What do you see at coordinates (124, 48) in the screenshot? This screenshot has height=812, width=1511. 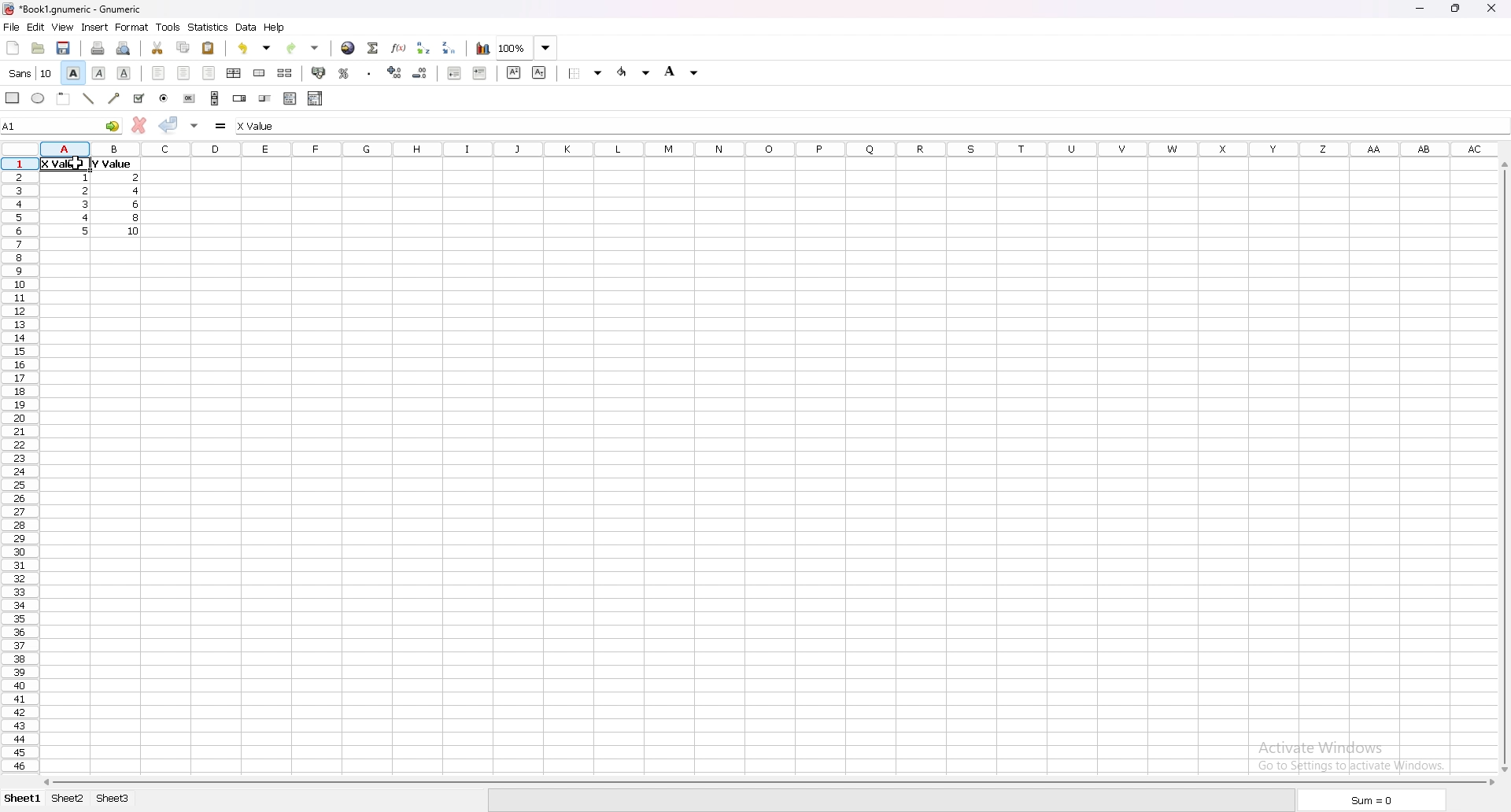 I see `print preview` at bounding box center [124, 48].